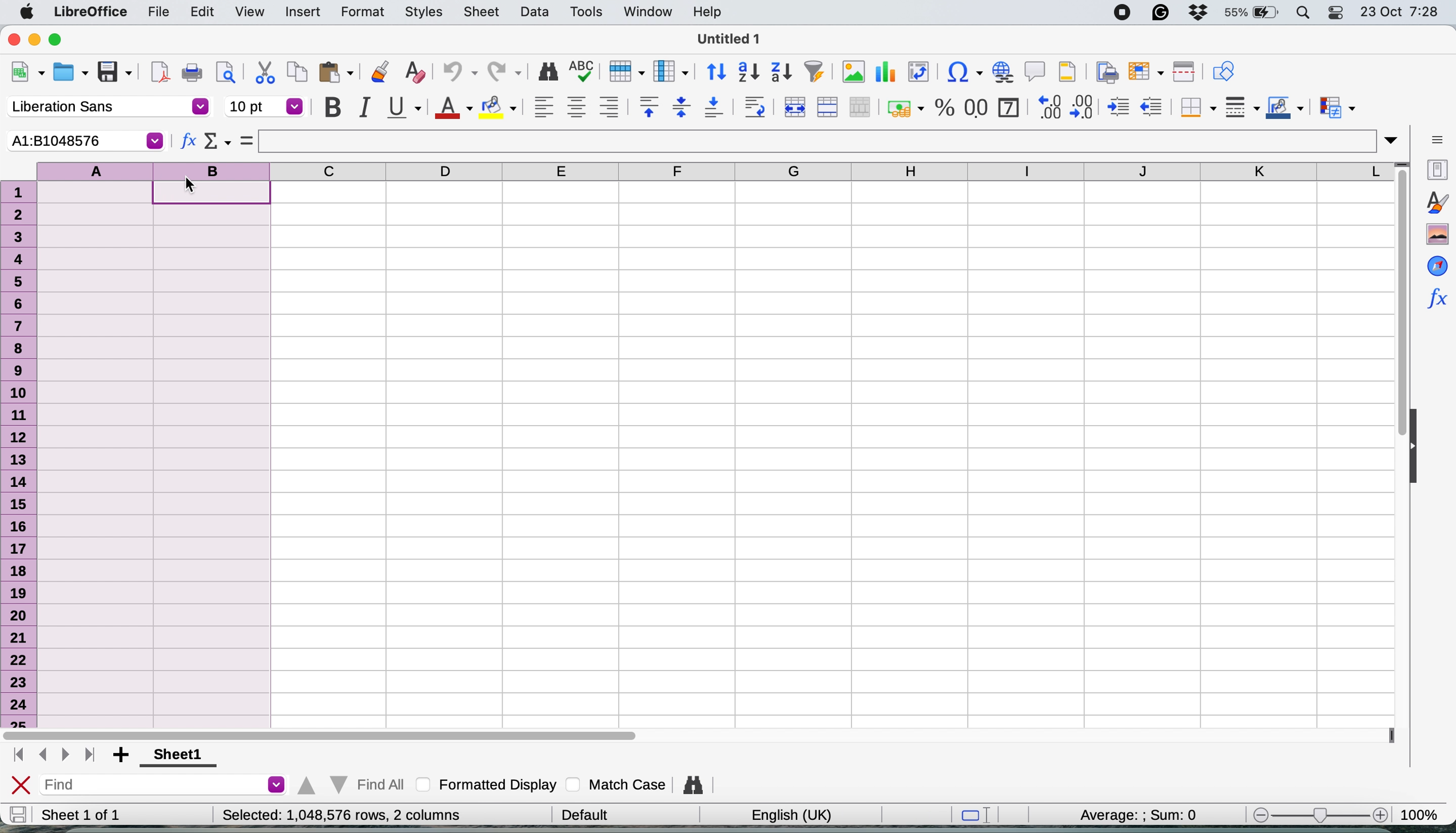  What do you see at coordinates (331, 108) in the screenshot?
I see `bold` at bounding box center [331, 108].